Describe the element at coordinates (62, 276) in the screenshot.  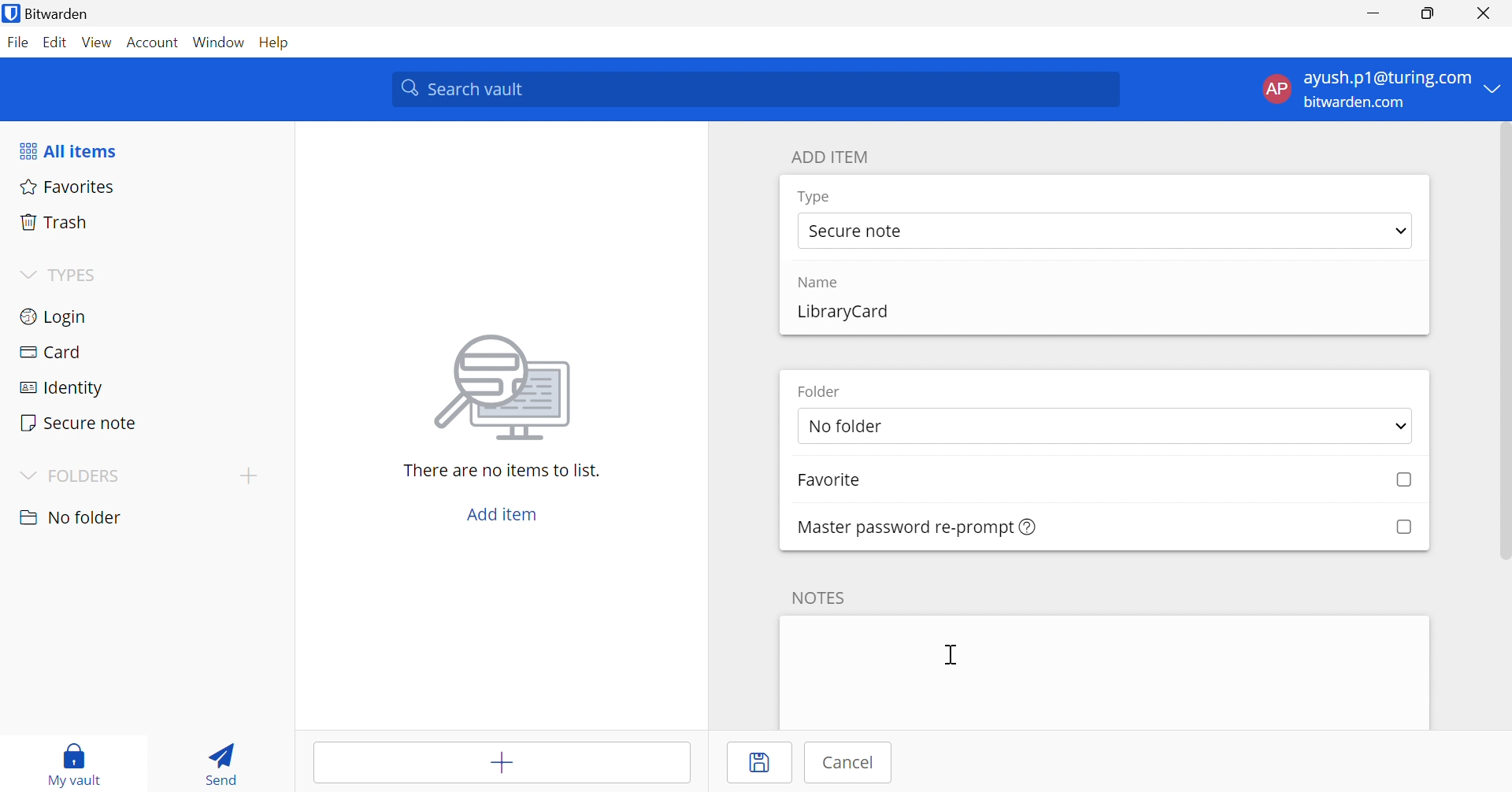
I see `TYPES` at that location.